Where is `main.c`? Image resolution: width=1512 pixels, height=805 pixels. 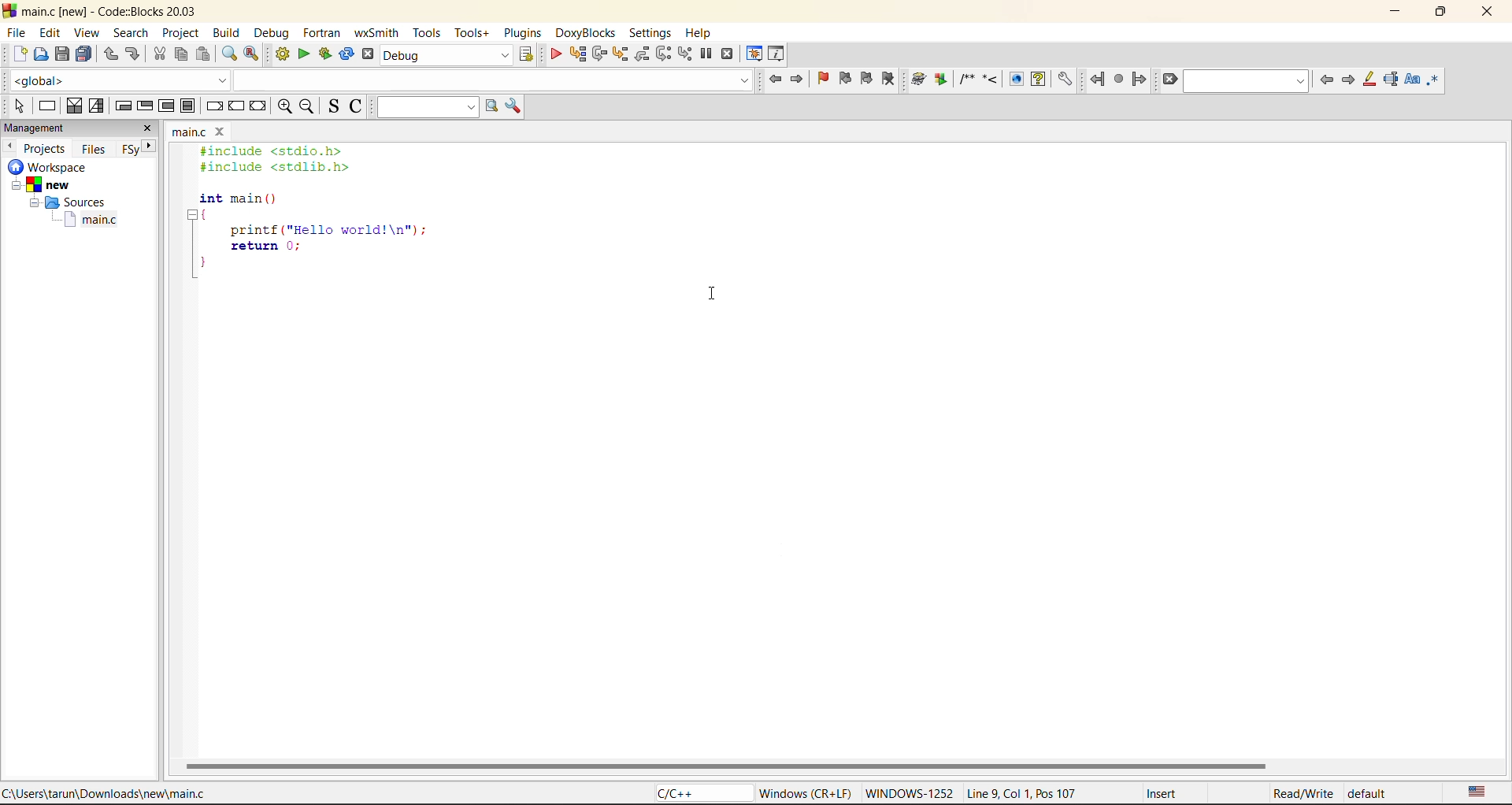 main.c is located at coordinates (187, 132).